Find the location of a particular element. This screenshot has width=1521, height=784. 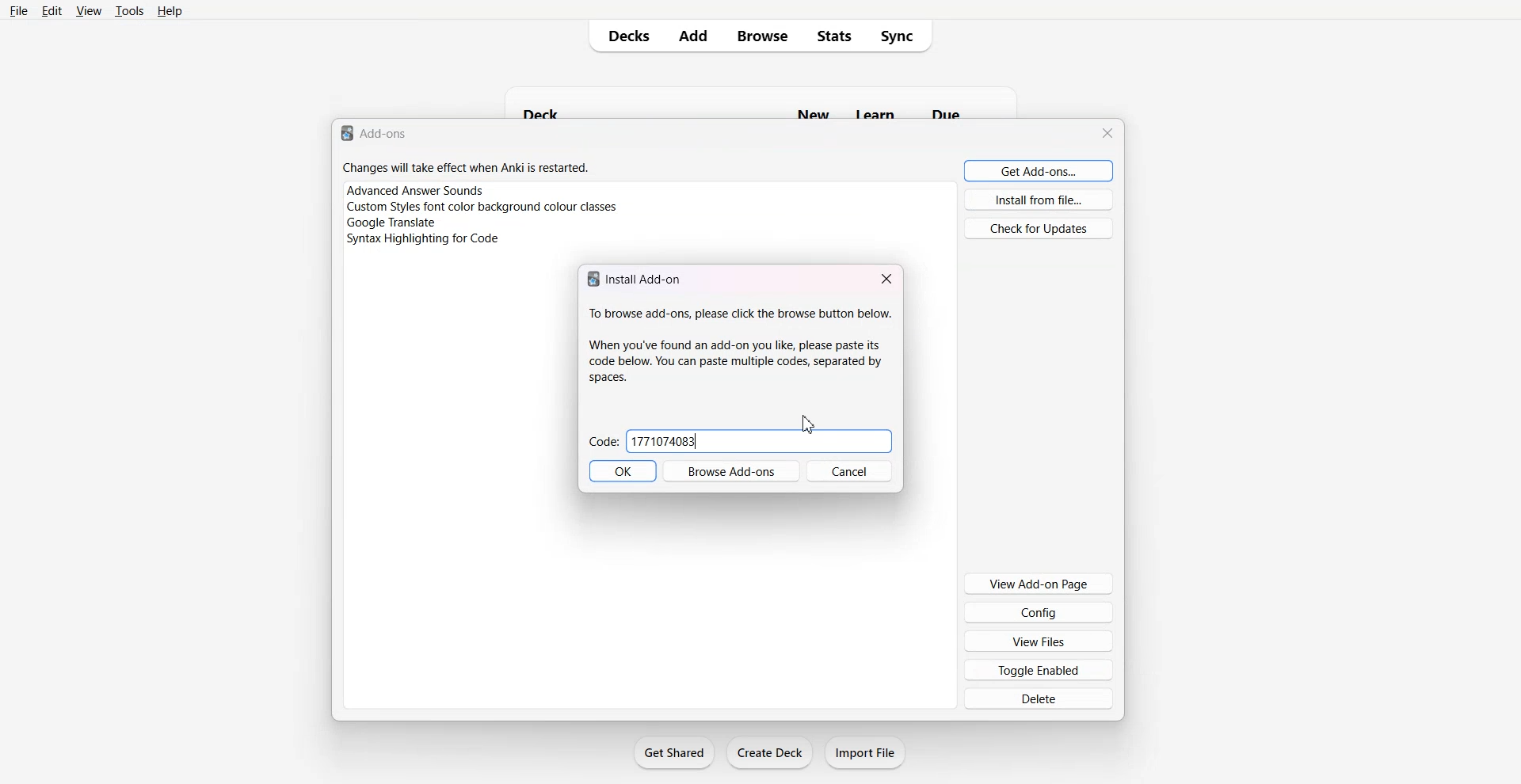

Cancel is located at coordinates (849, 471).